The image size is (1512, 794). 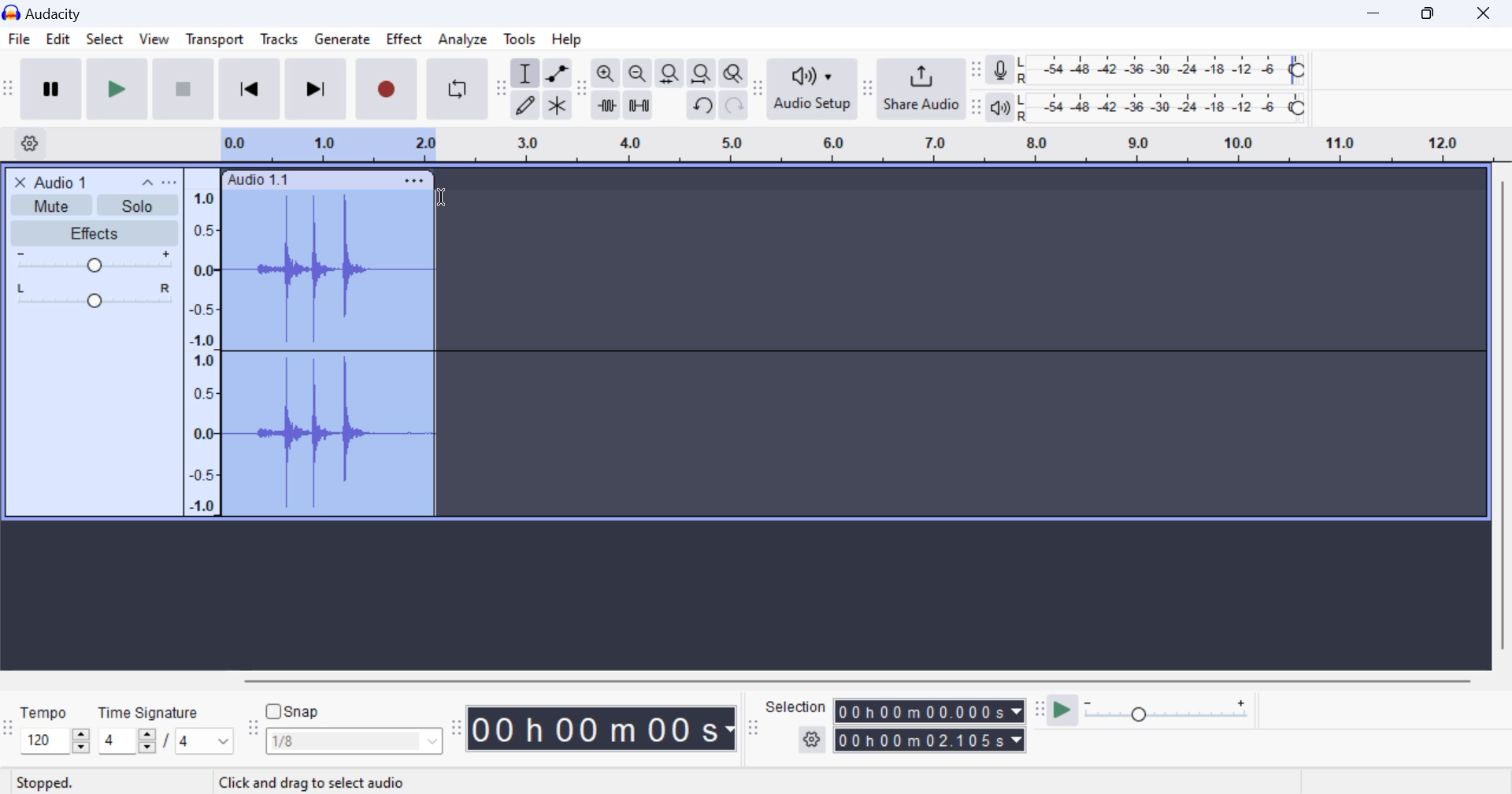 I want to click on Recording Level, so click(x=1162, y=70).